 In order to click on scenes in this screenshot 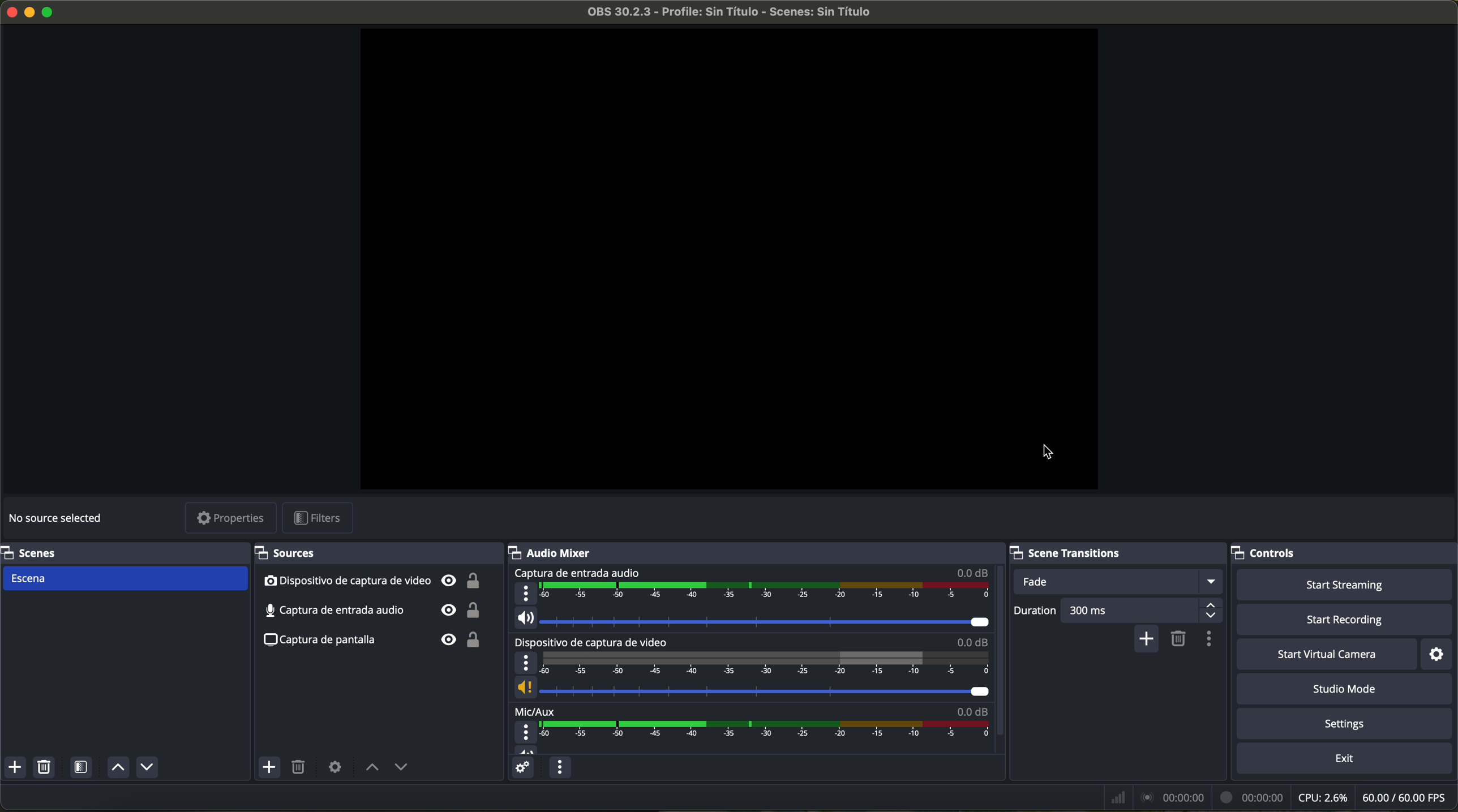, I will do `click(121, 552)`.